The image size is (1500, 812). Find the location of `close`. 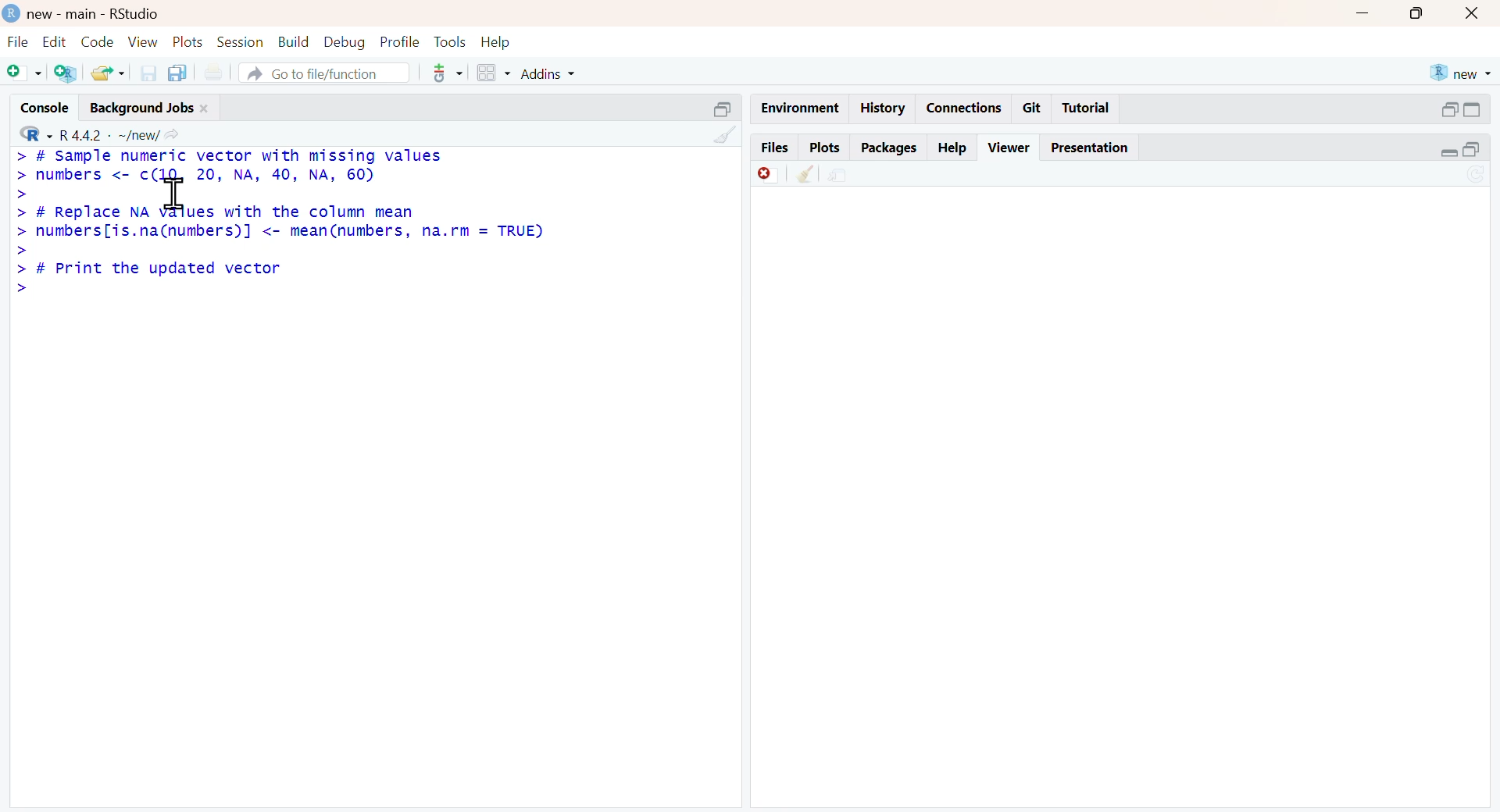

close is located at coordinates (1473, 14).